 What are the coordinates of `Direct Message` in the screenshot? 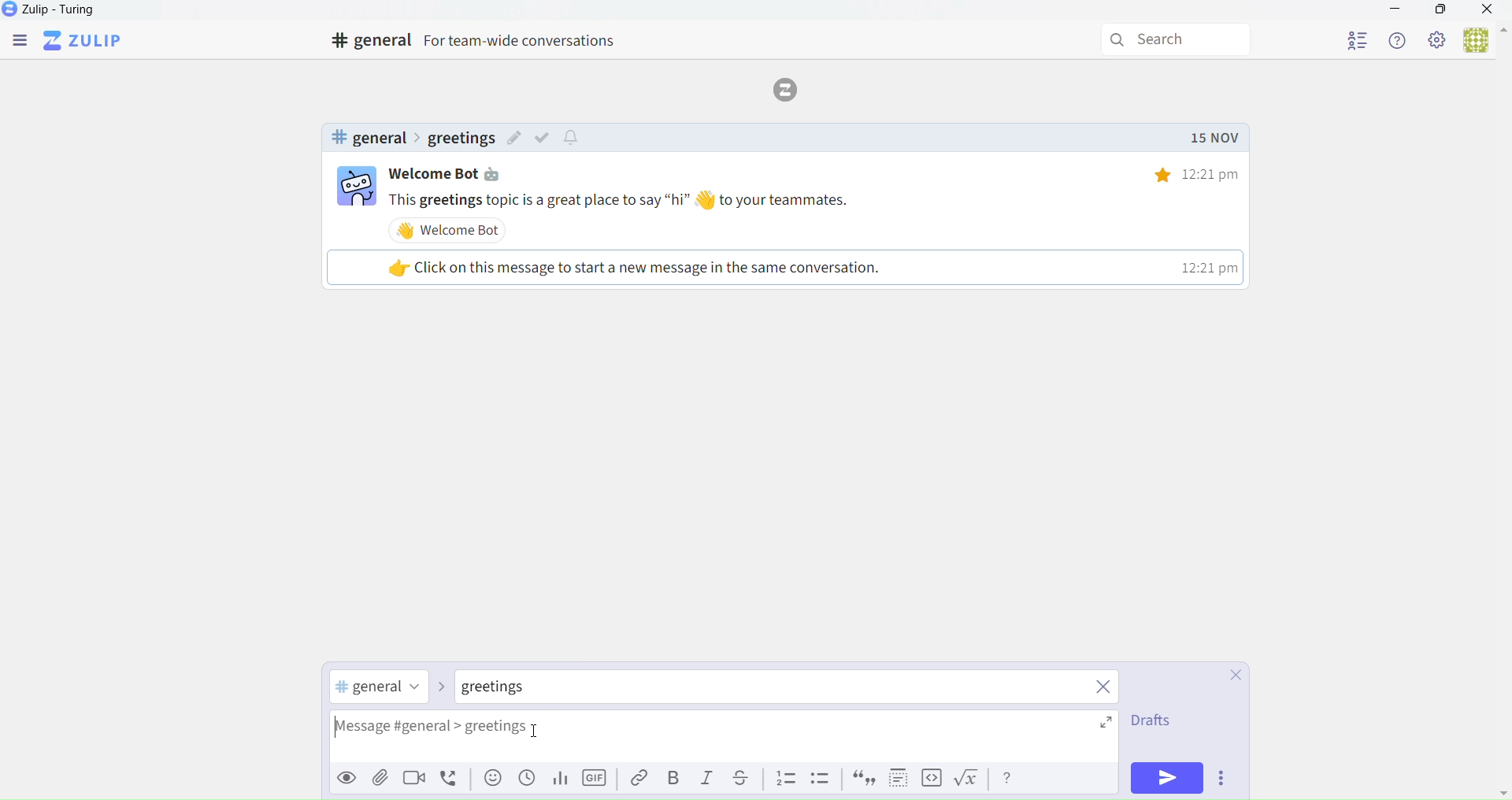 It's located at (513, 689).